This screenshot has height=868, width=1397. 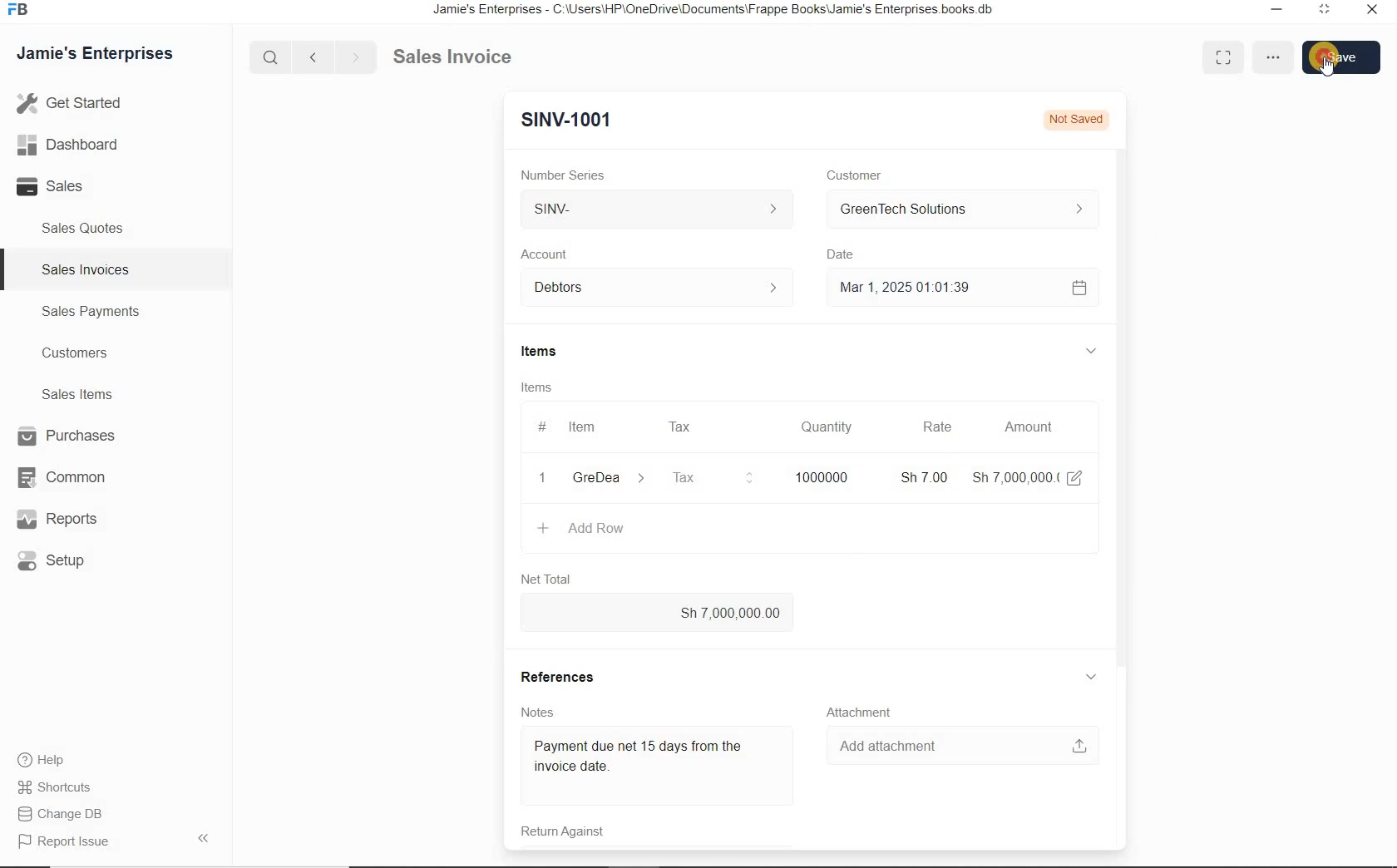 I want to click on search, so click(x=274, y=57).